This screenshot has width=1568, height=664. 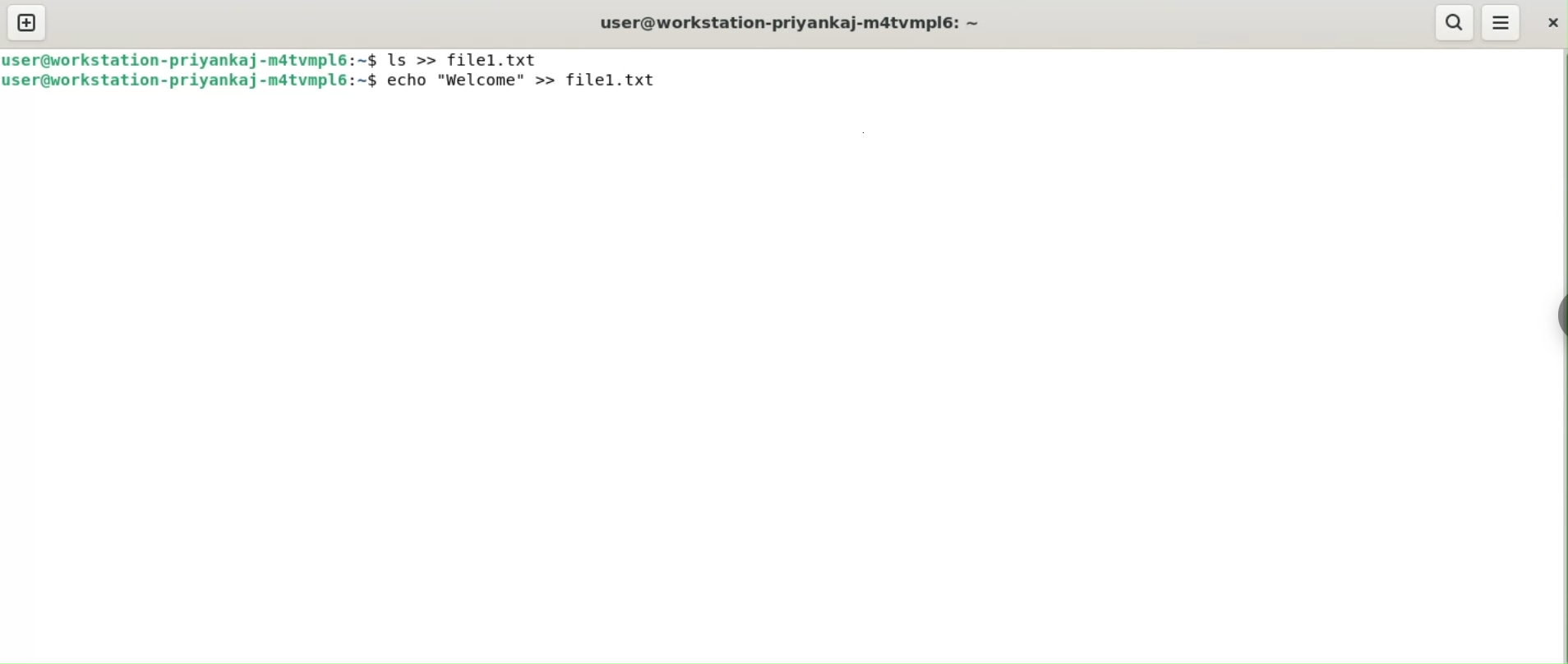 What do you see at coordinates (27, 22) in the screenshot?
I see `new tab` at bounding box center [27, 22].